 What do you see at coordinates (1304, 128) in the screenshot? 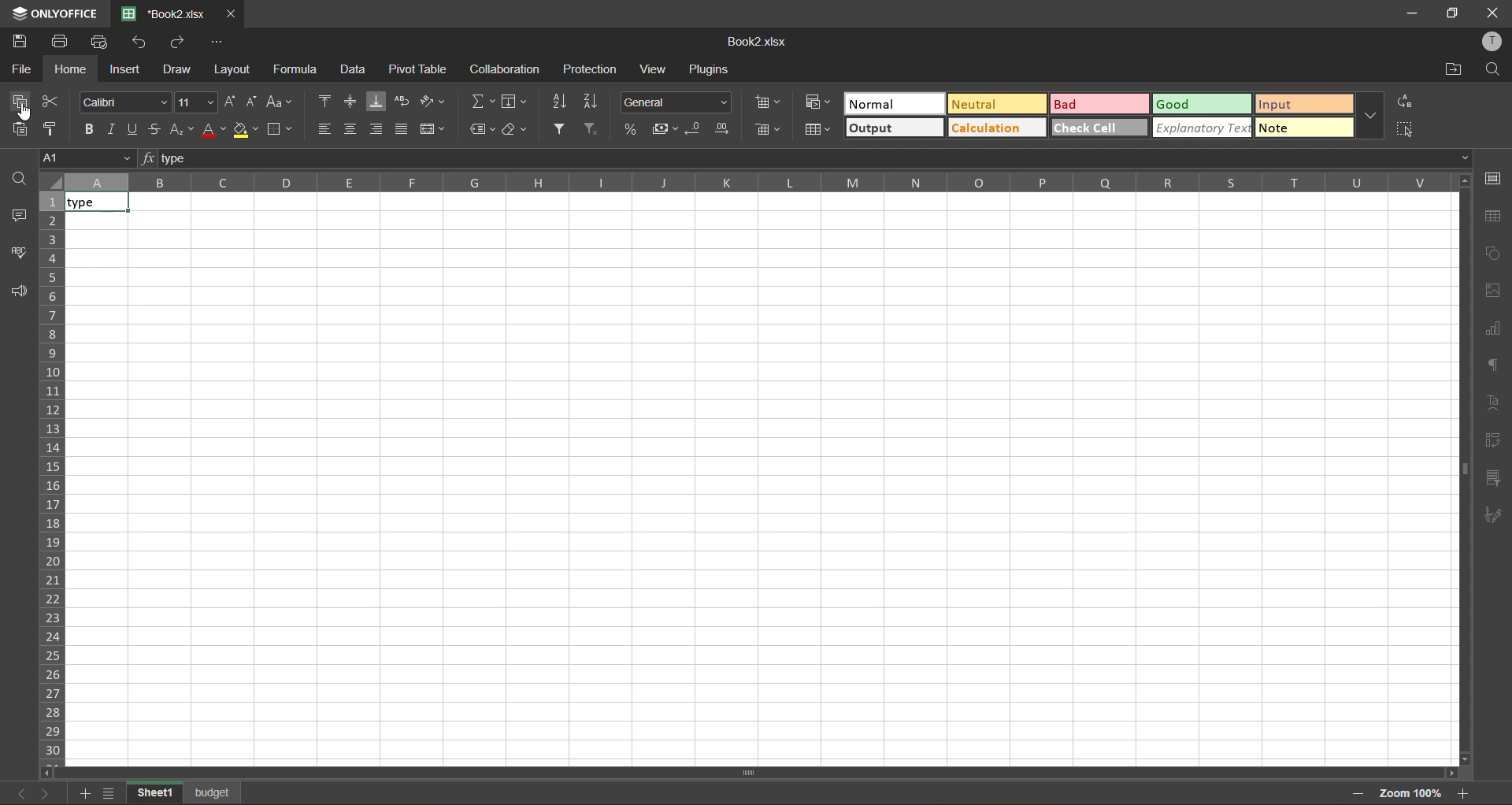
I see `note` at bounding box center [1304, 128].